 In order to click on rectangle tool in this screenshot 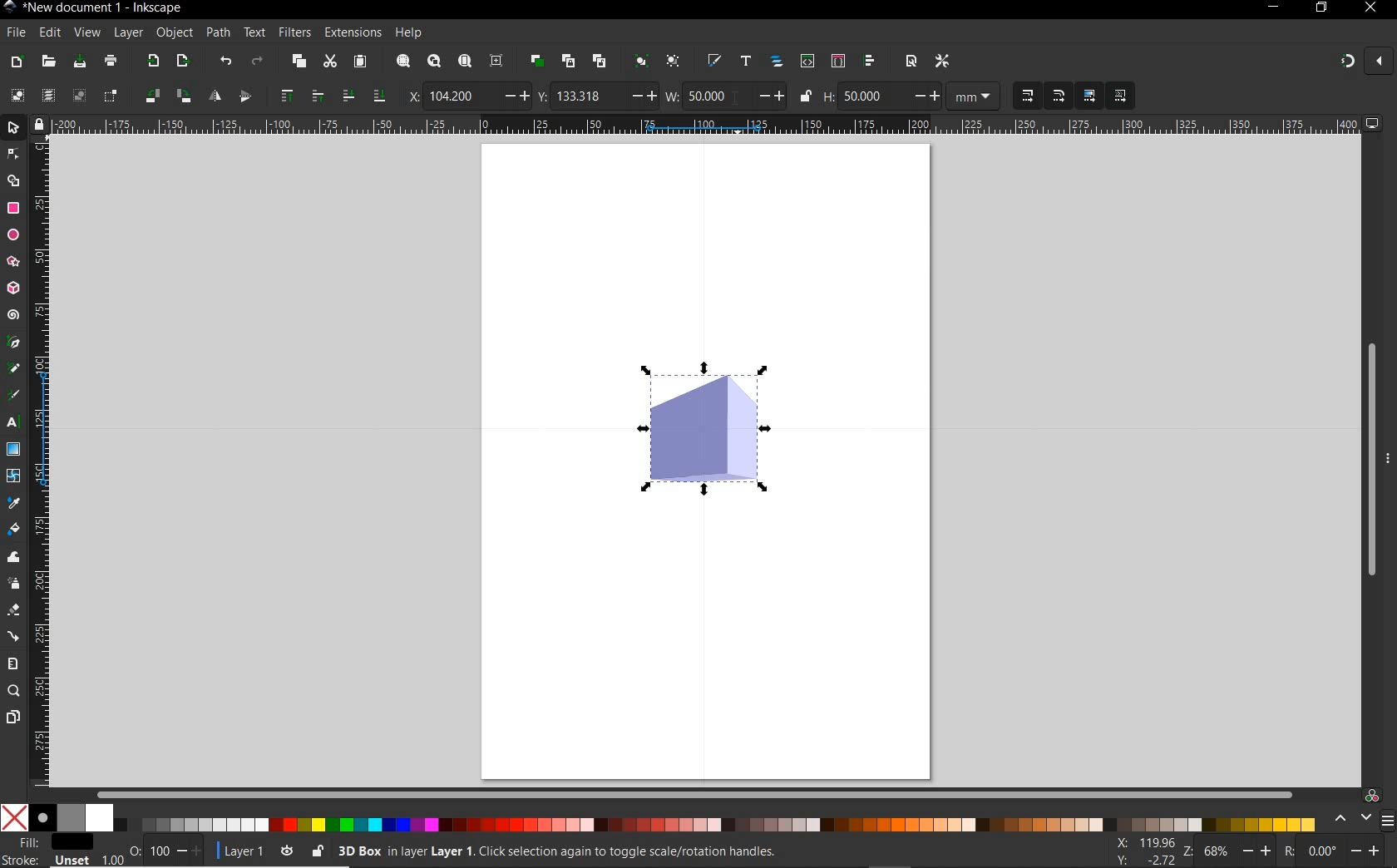, I will do `click(13, 209)`.